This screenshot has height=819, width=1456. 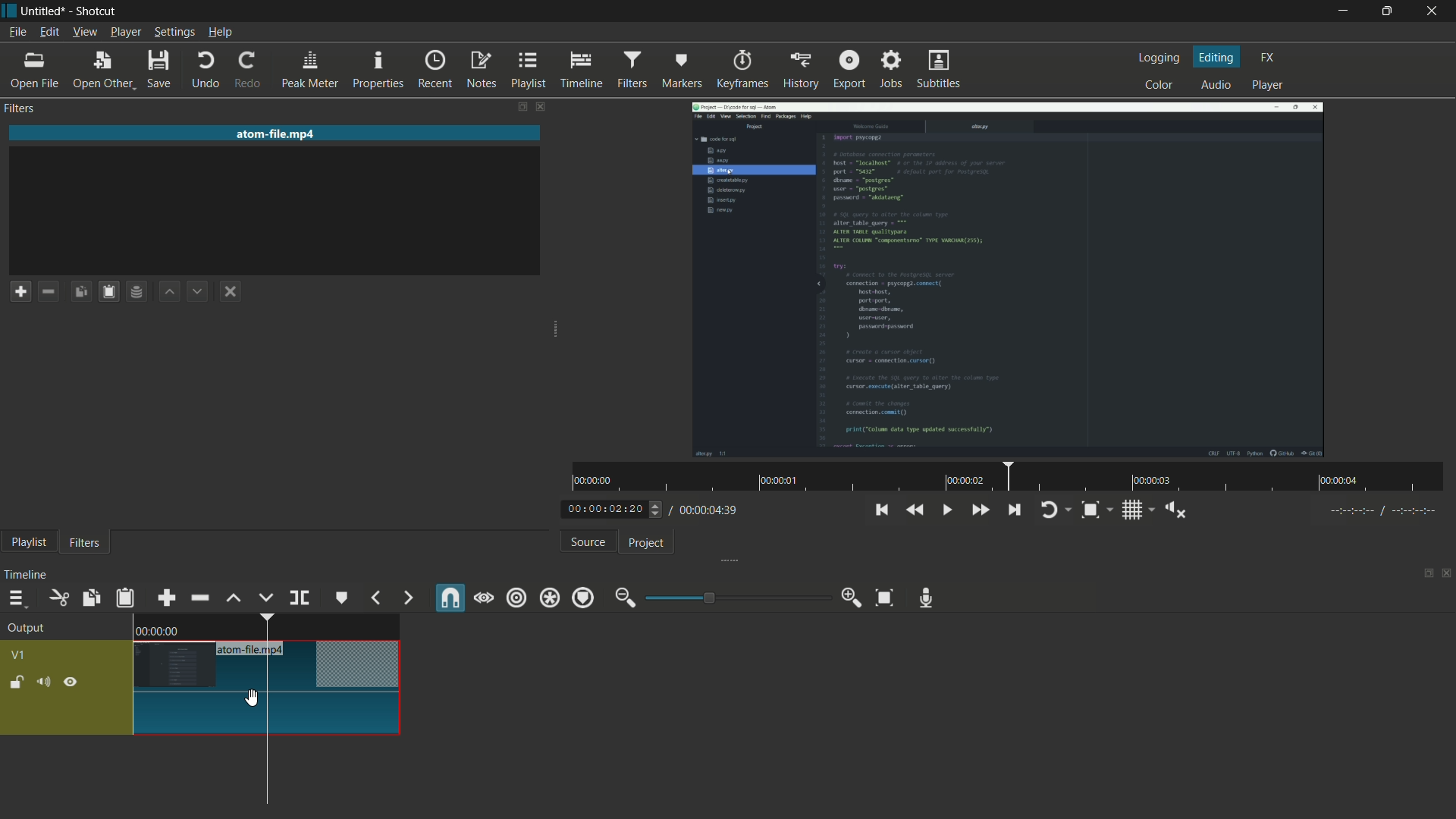 What do you see at coordinates (17, 683) in the screenshot?
I see `lock` at bounding box center [17, 683].